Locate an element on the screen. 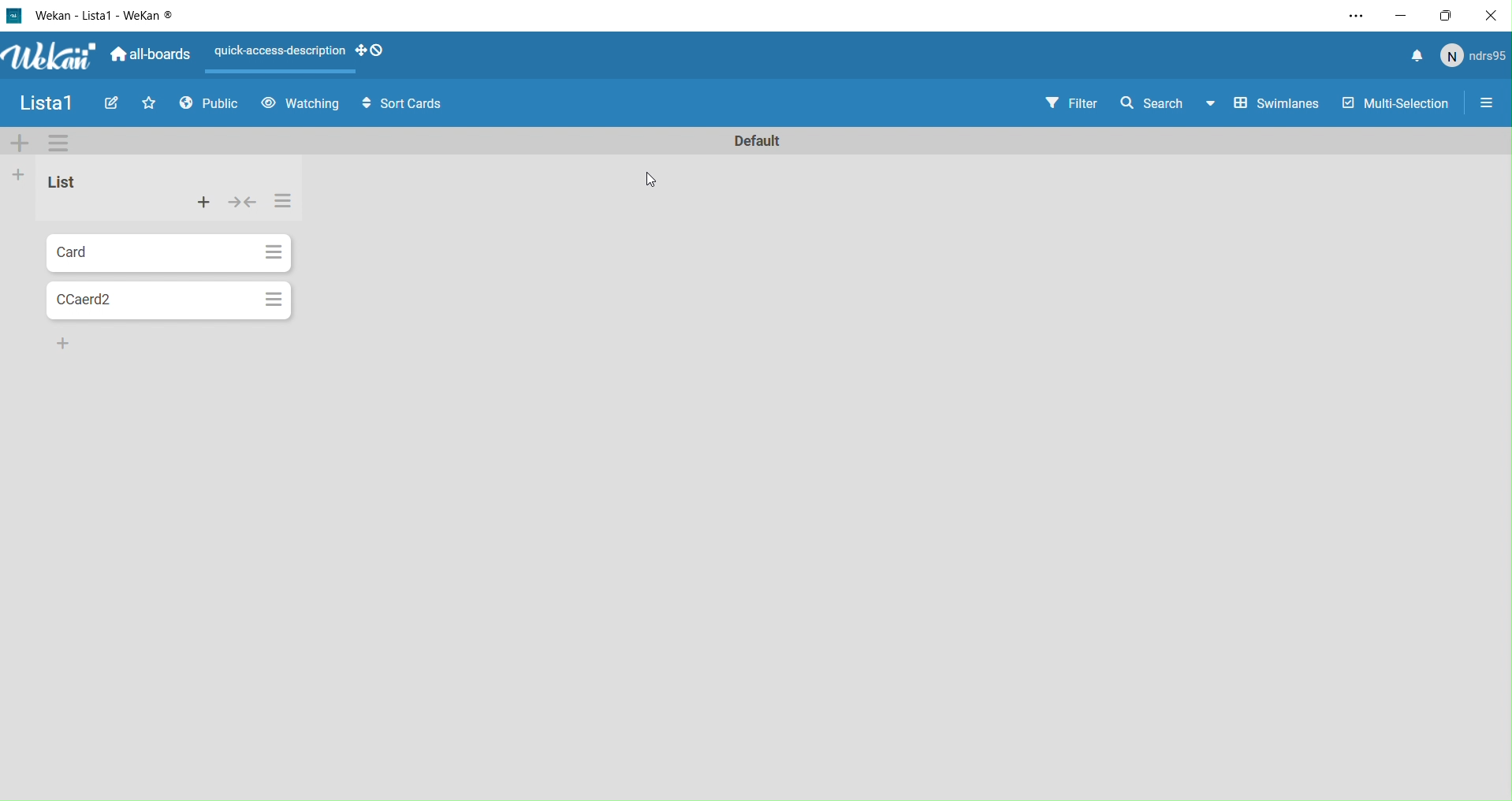  Settings is located at coordinates (1492, 102).